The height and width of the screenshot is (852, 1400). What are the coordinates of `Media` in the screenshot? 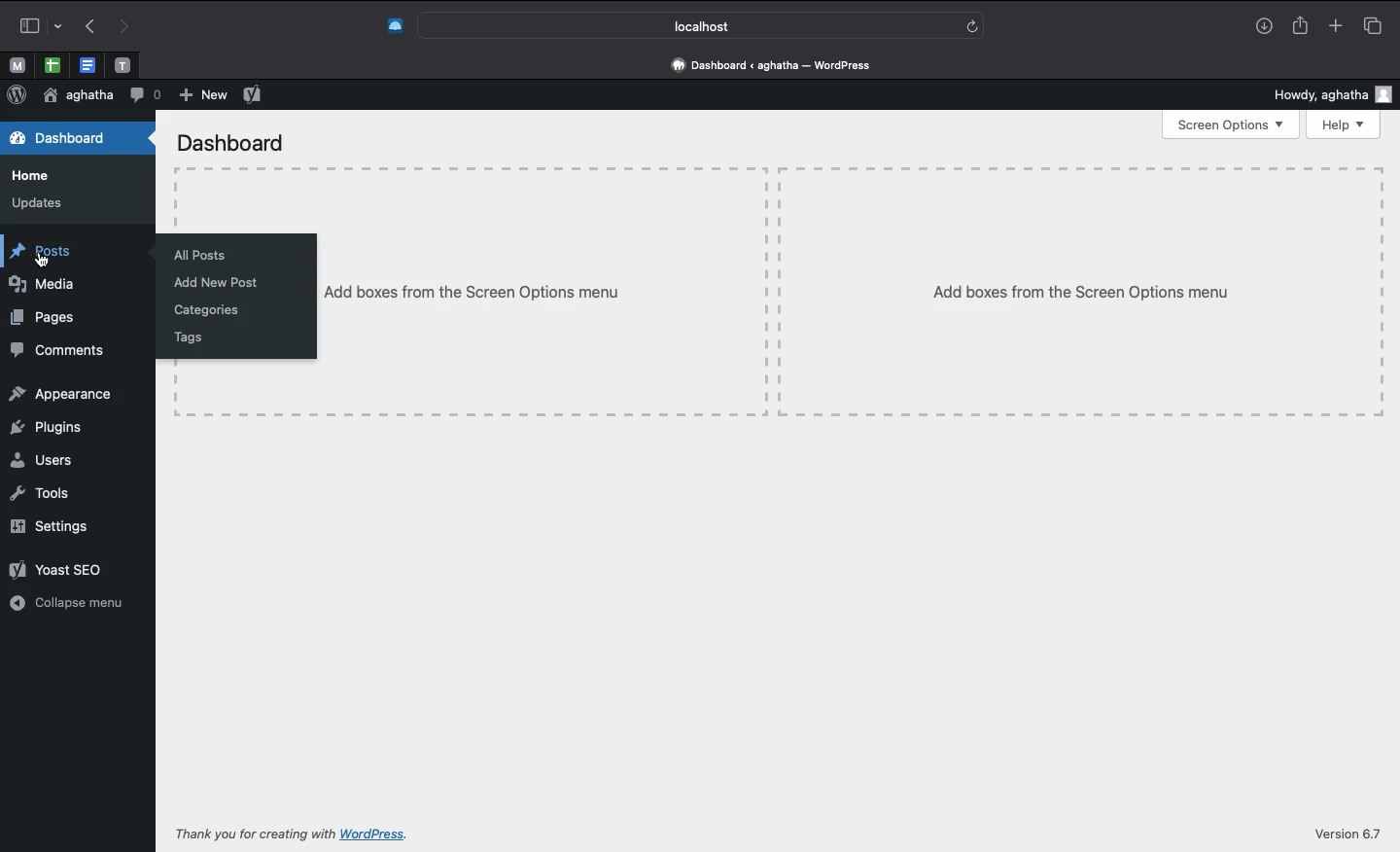 It's located at (52, 287).